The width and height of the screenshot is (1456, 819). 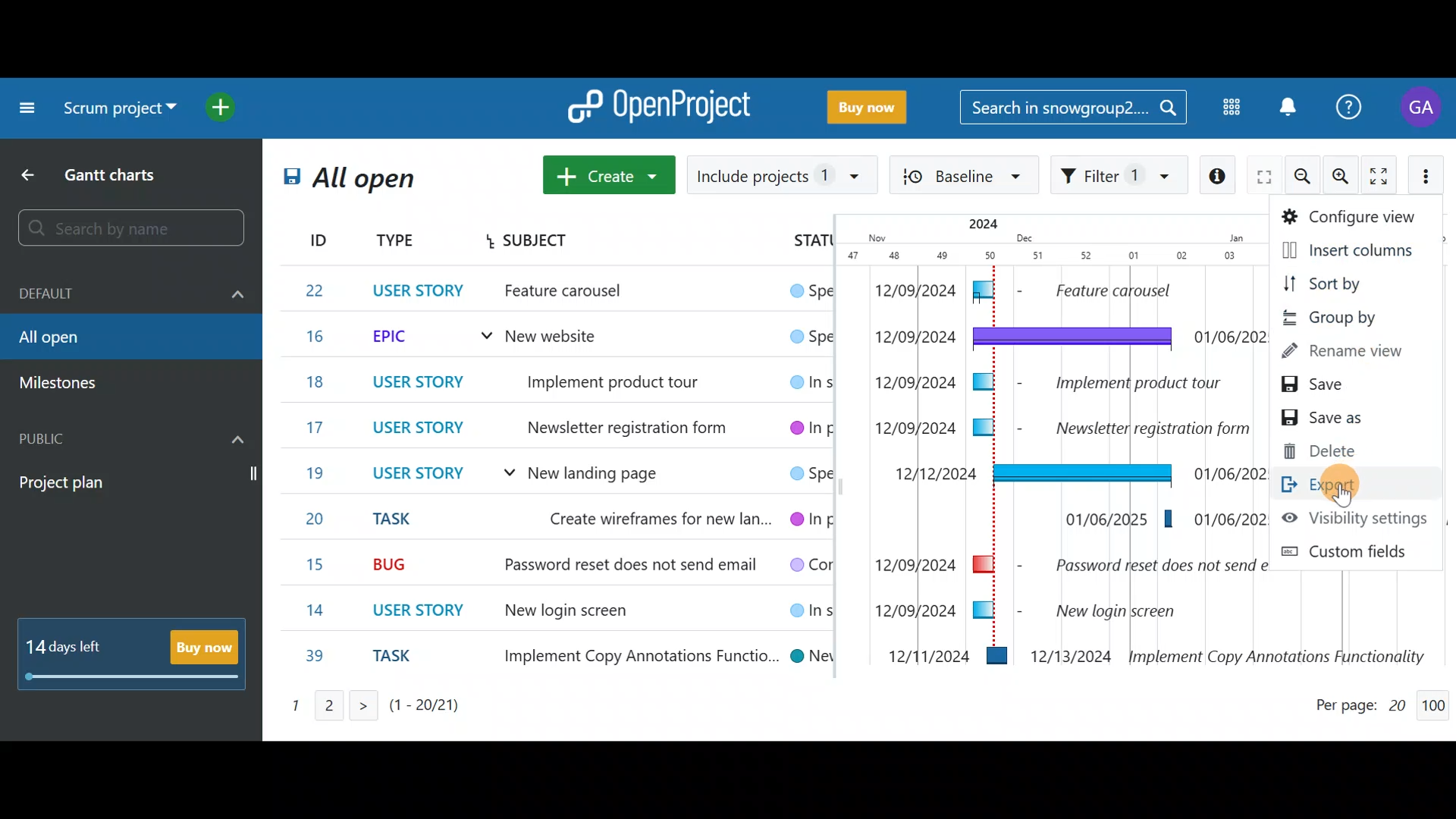 What do you see at coordinates (619, 566) in the screenshot?
I see `Password reset does not send email` at bounding box center [619, 566].